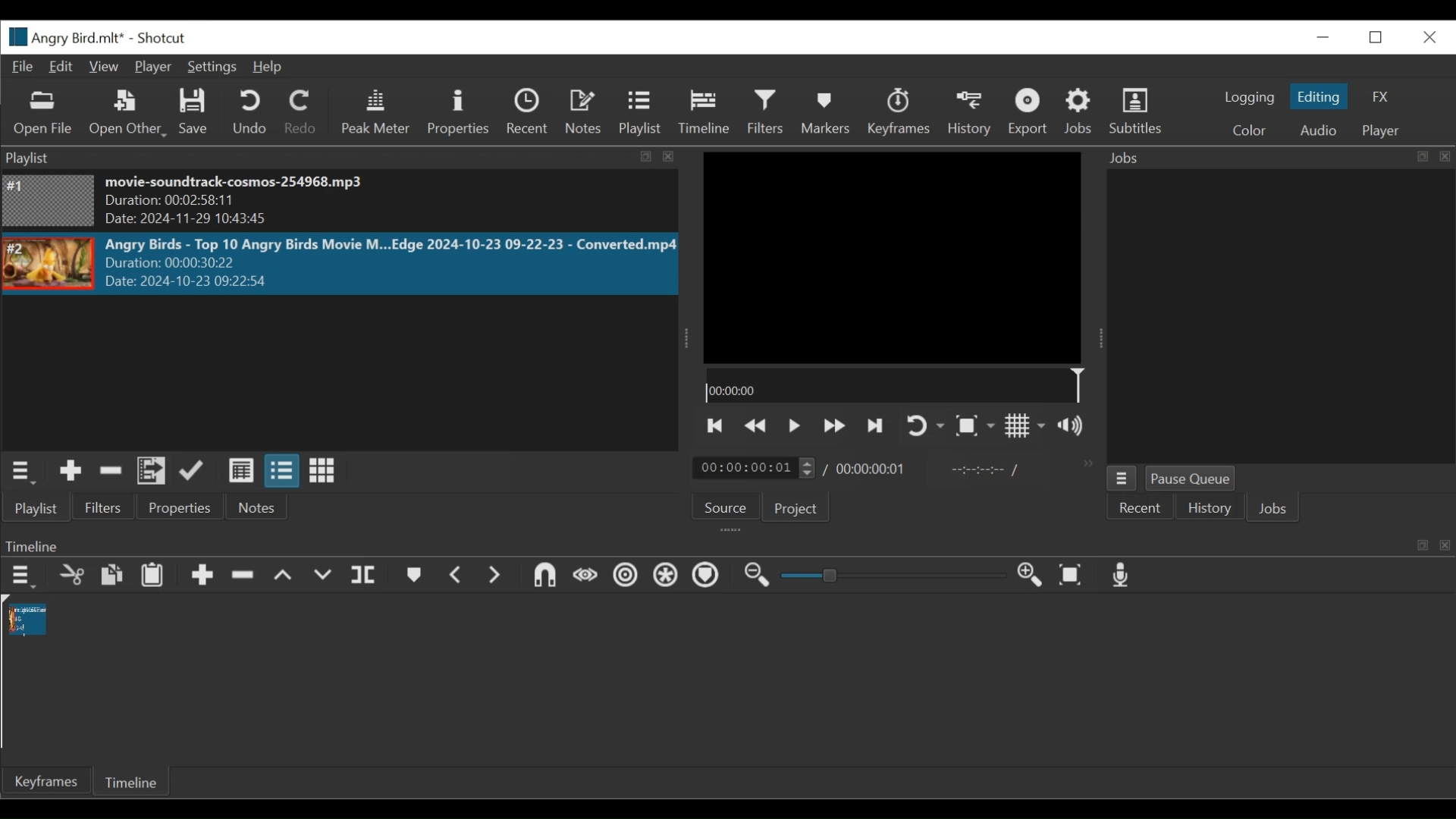 The image size is (1456, 819). I want to click on Clip, so click(26, 622).